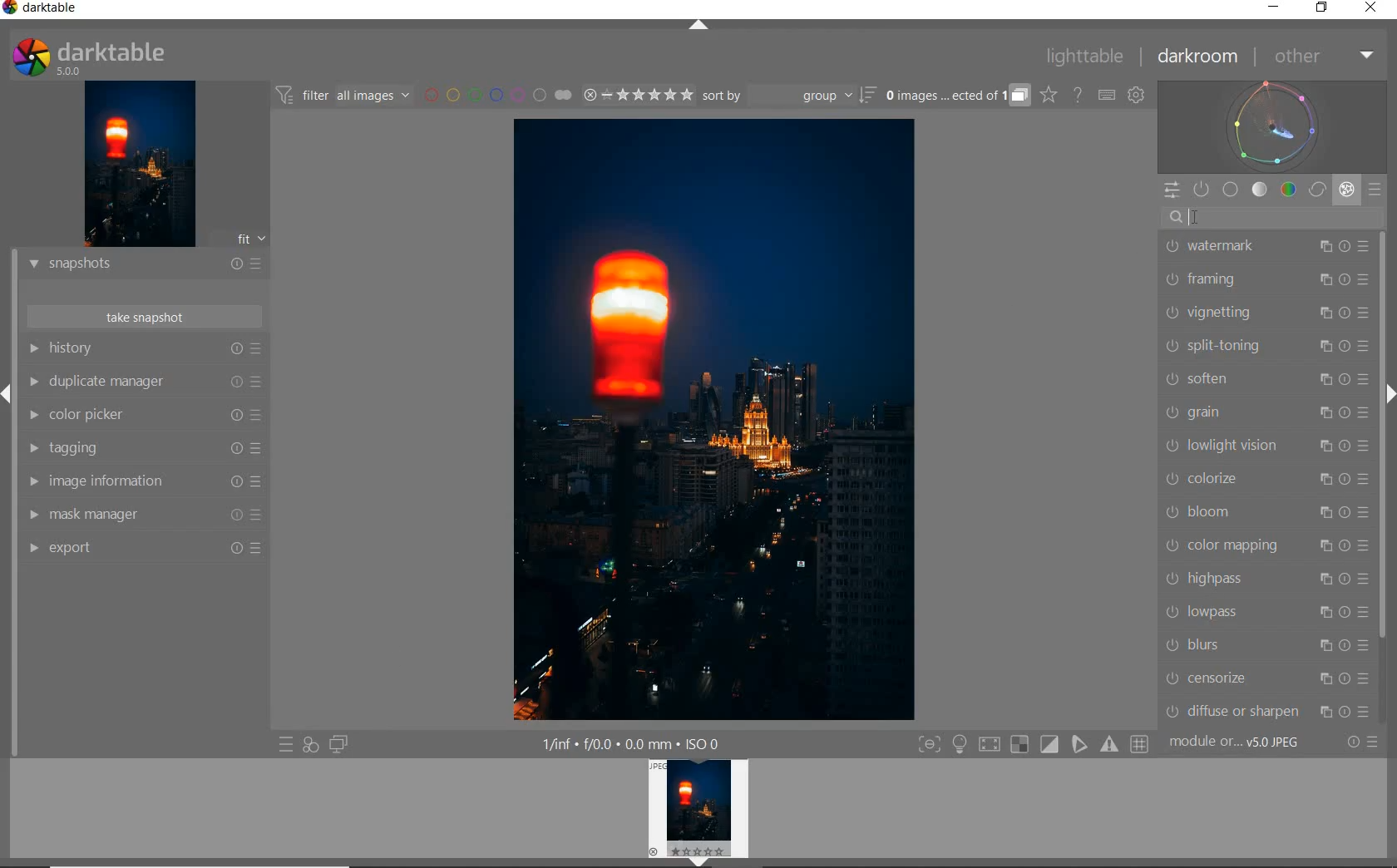 This screenshot has height=868, width=1397. Describe the element at coordinates (1345, 478) in the screenshot. I see `Reset` at that location.